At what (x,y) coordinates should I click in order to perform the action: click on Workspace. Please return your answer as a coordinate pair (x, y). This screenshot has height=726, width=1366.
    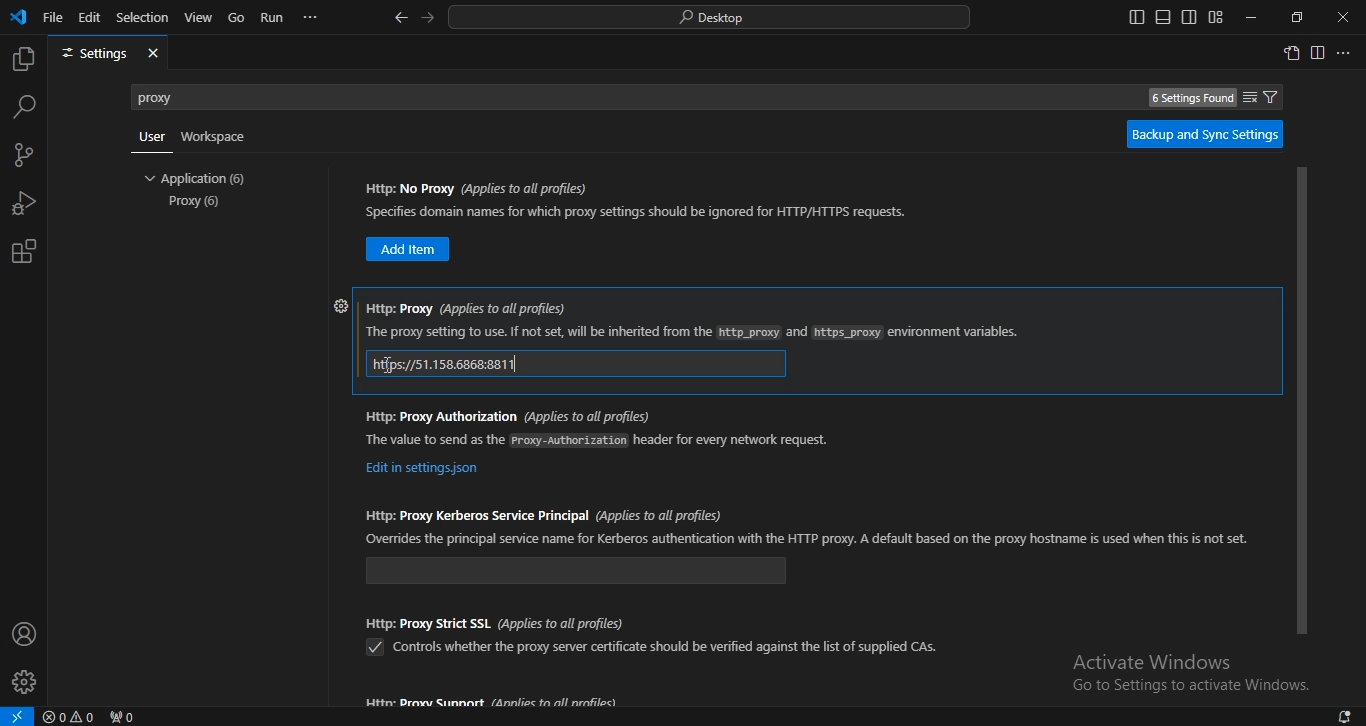
    Looking at the image, I should click on (216, 137).